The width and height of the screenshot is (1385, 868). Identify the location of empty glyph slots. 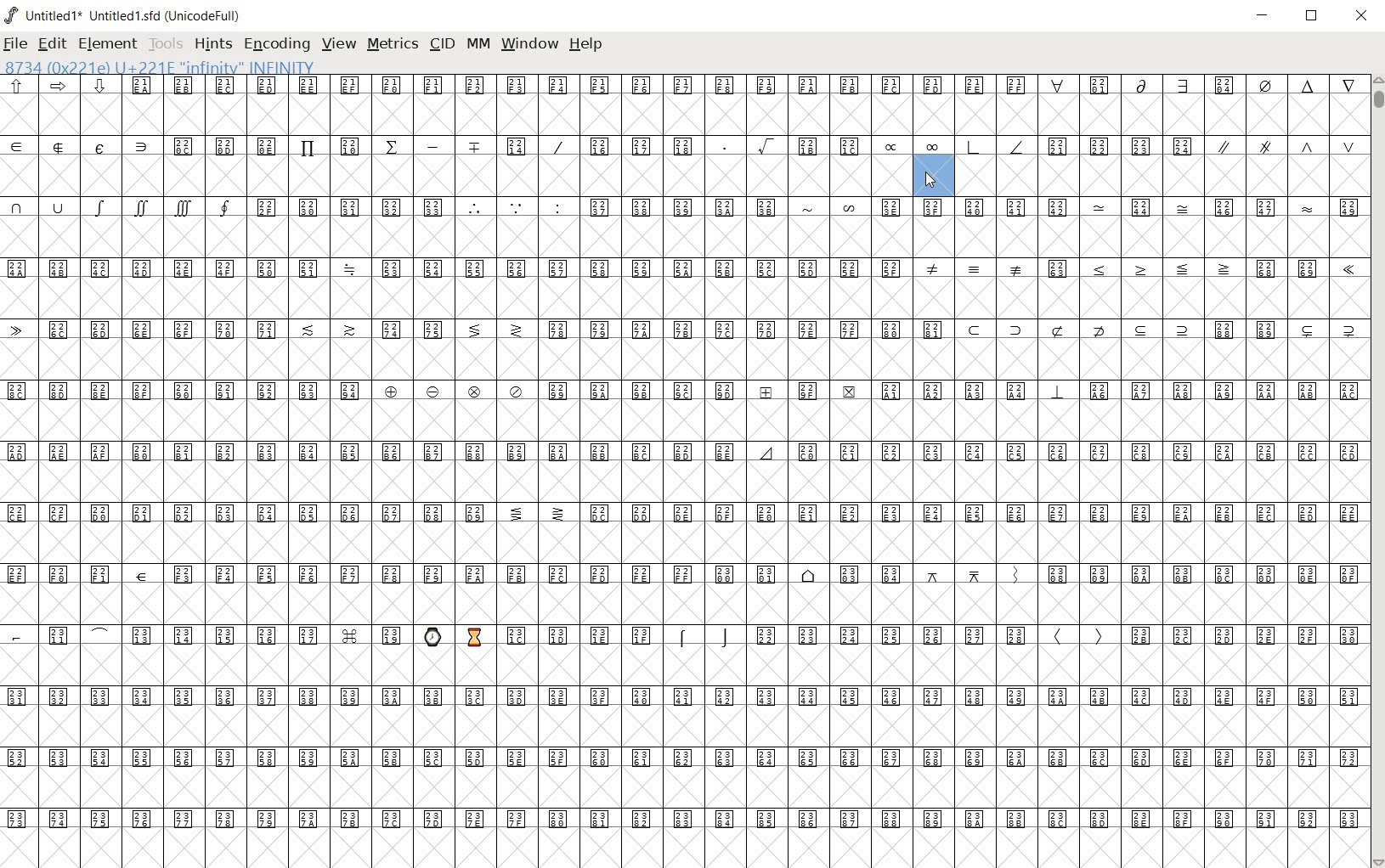
(682, 420).